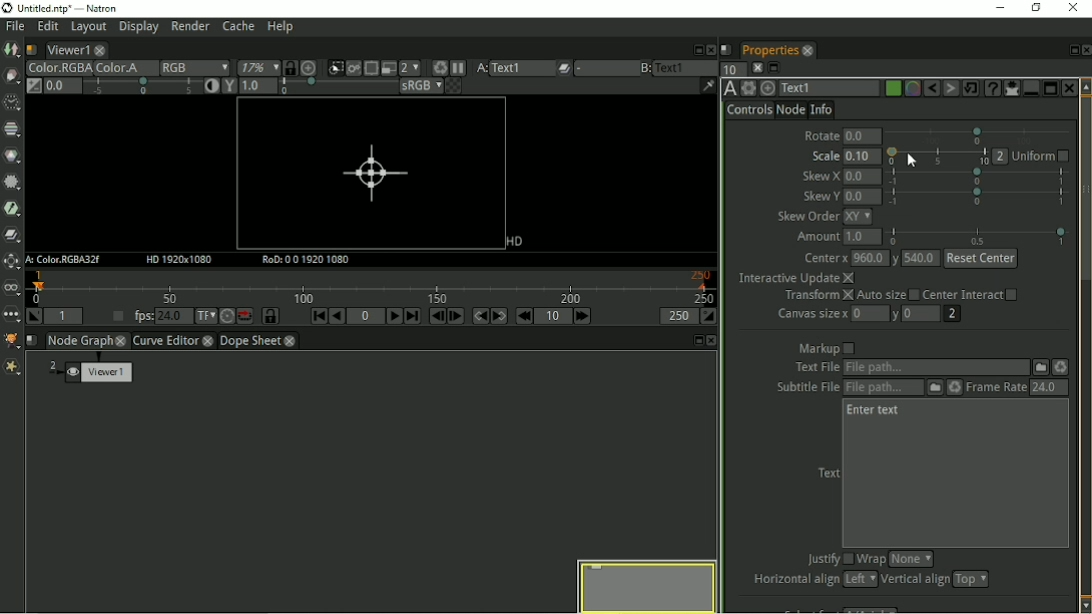  I want to click on Properties, so click(778, 49).